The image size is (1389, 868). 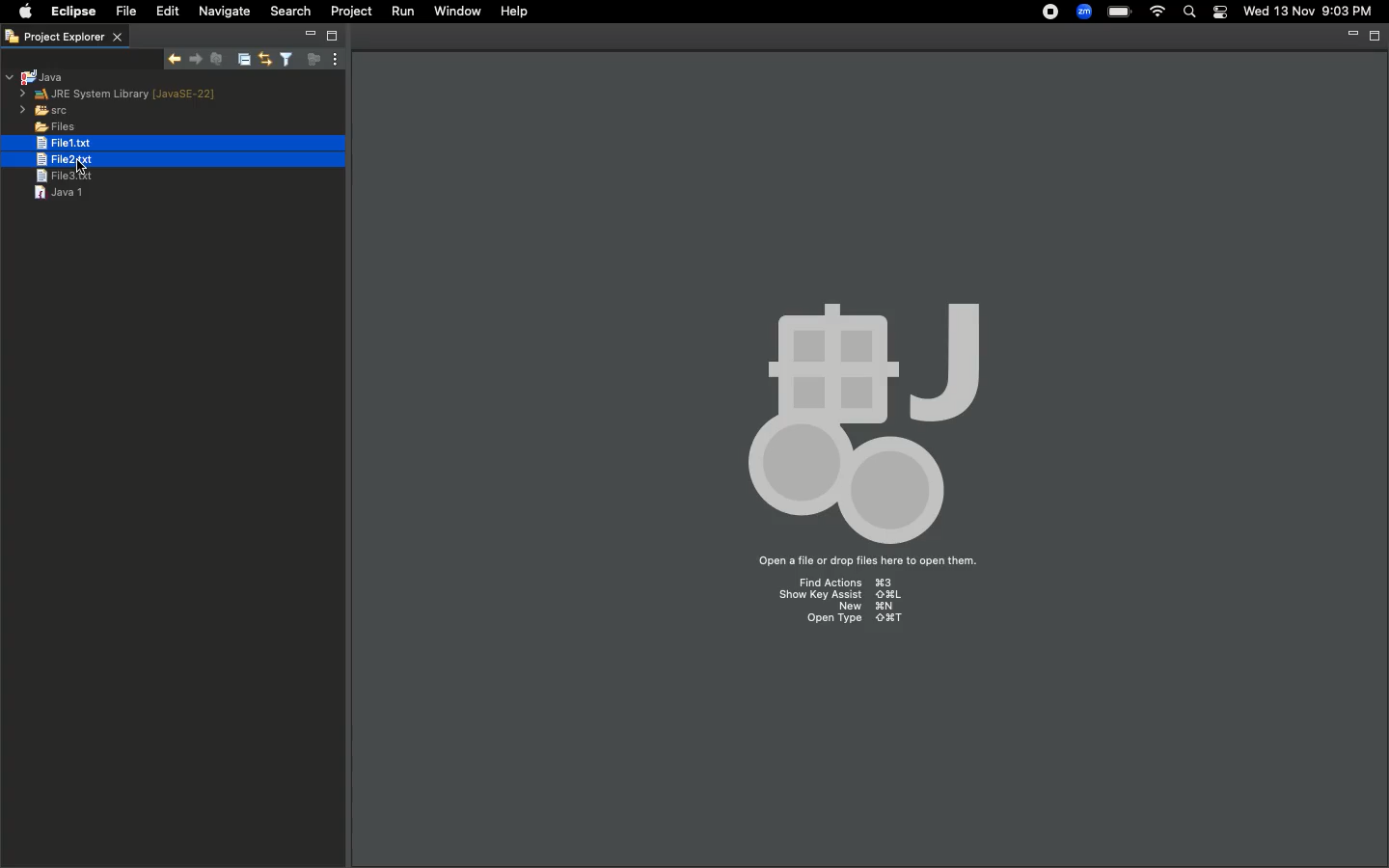 I want to click on Project, so click(x=352, y=12).